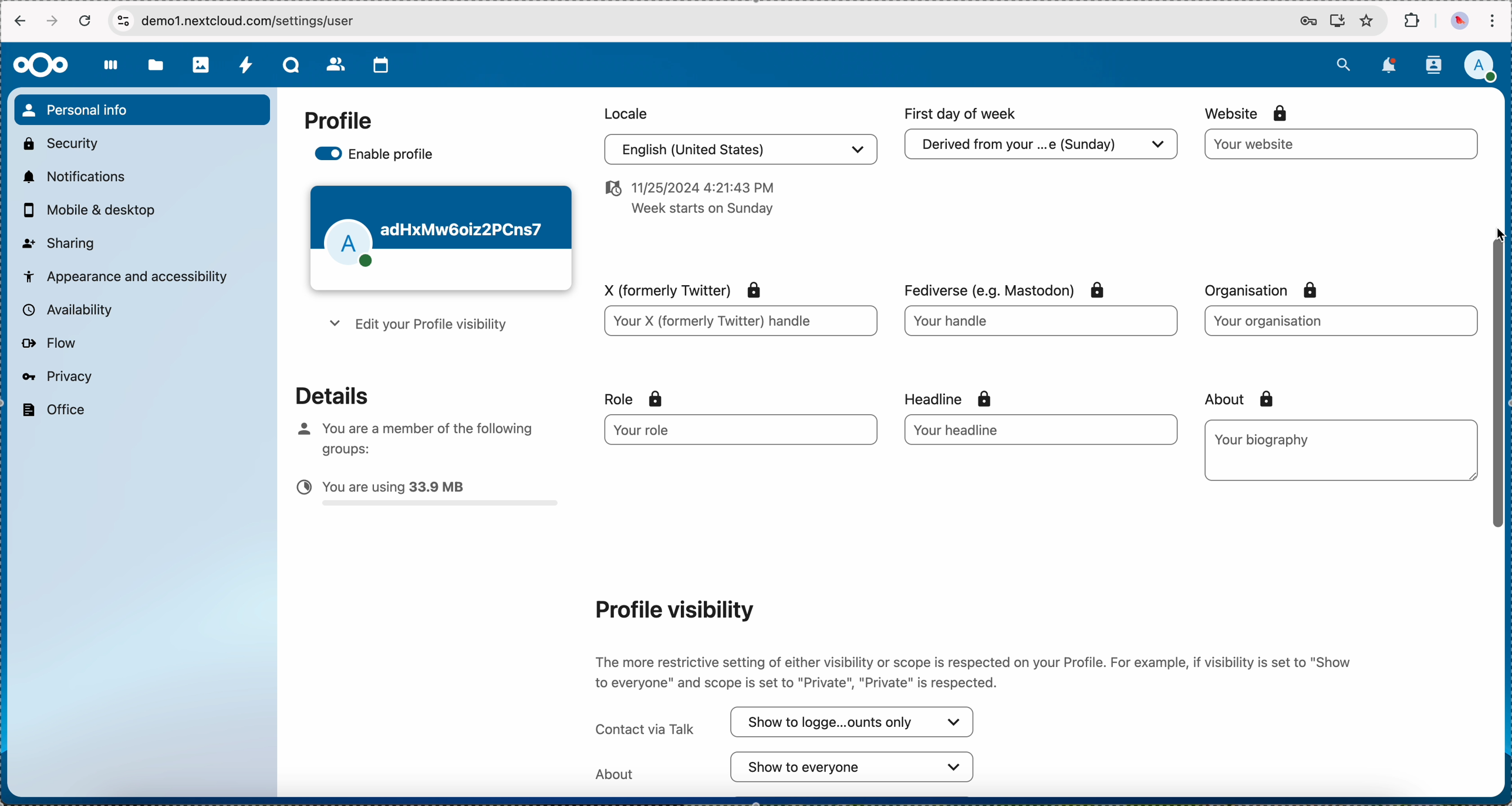 The image size is (1512, 806). Describe the element at coordinates (202, 65) in the screenshot. I see `photos` at that location.